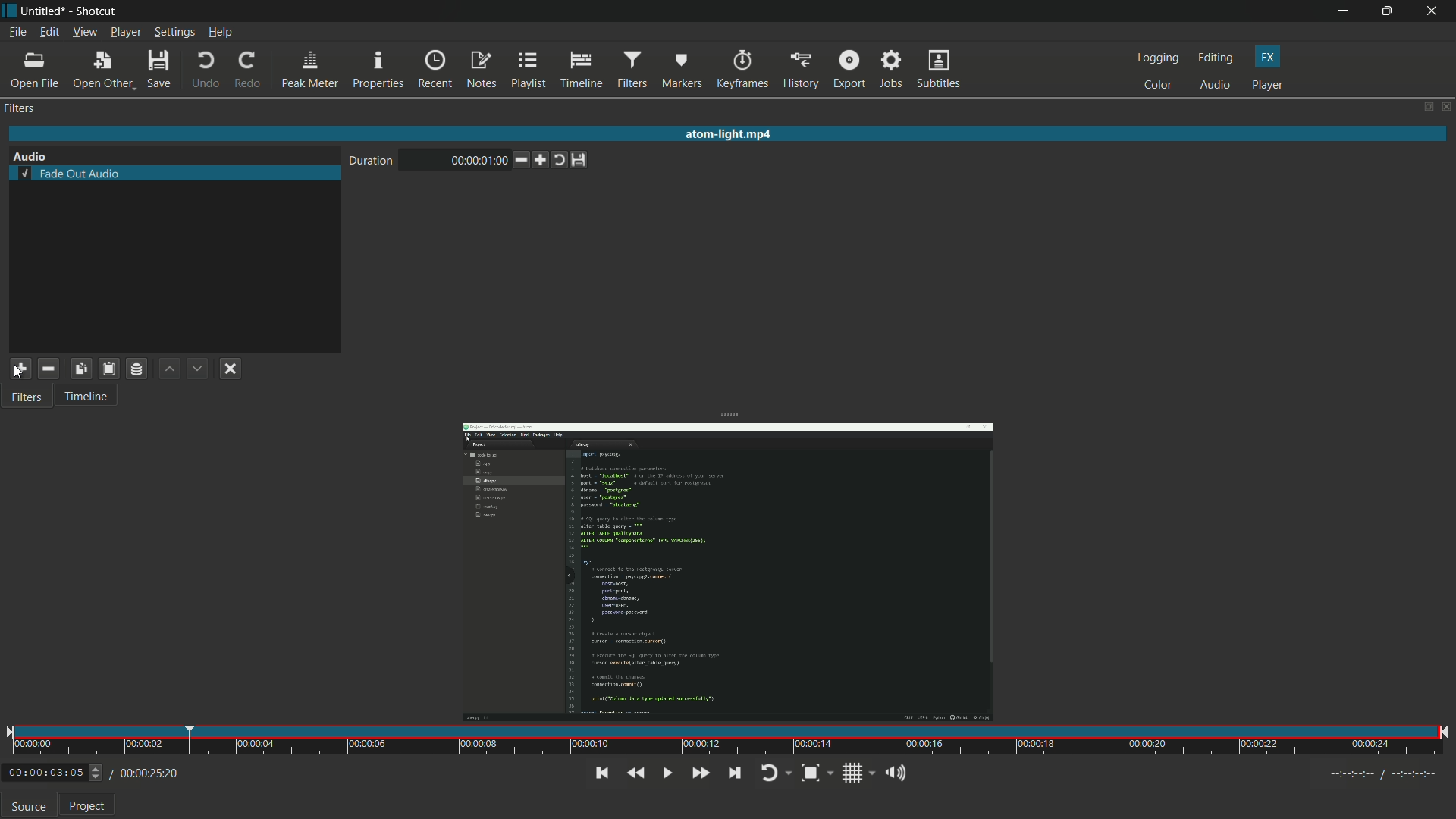 The image size is (1456, 819). I want to click on minimize, so click(1341, 11).